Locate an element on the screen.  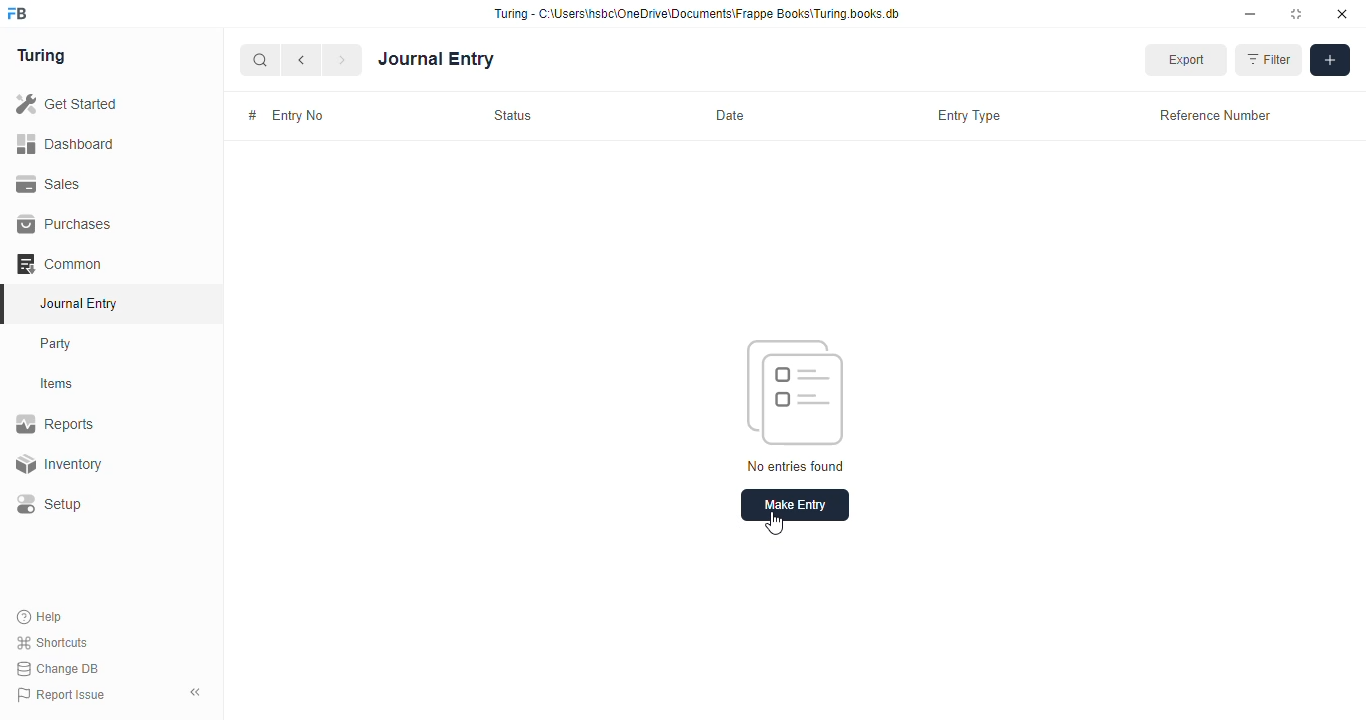
toggle maximize is located at coordinates (1296, 14).